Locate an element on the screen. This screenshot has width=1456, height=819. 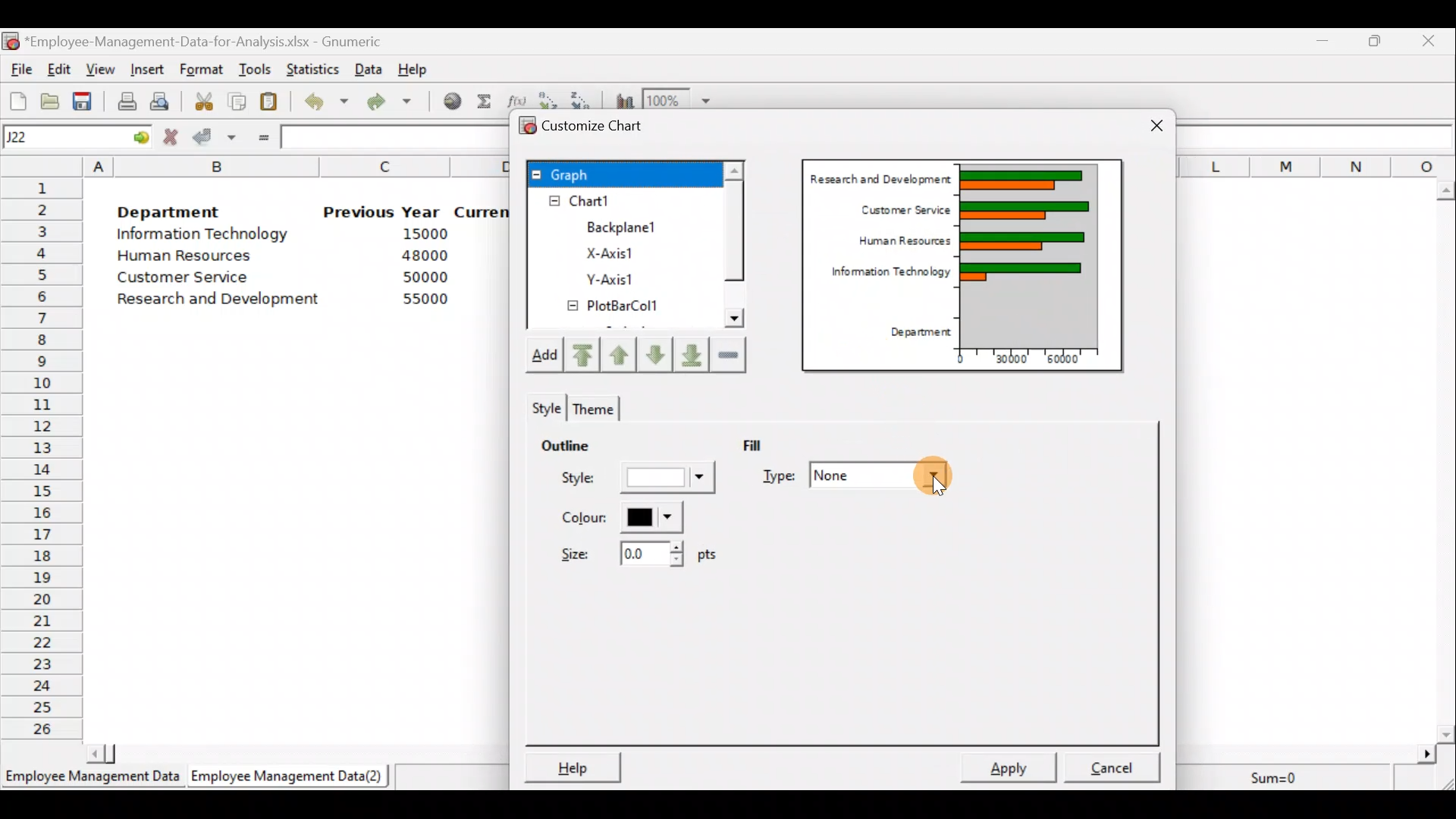
Paste the clipboard is located at coordinates (273, 103).